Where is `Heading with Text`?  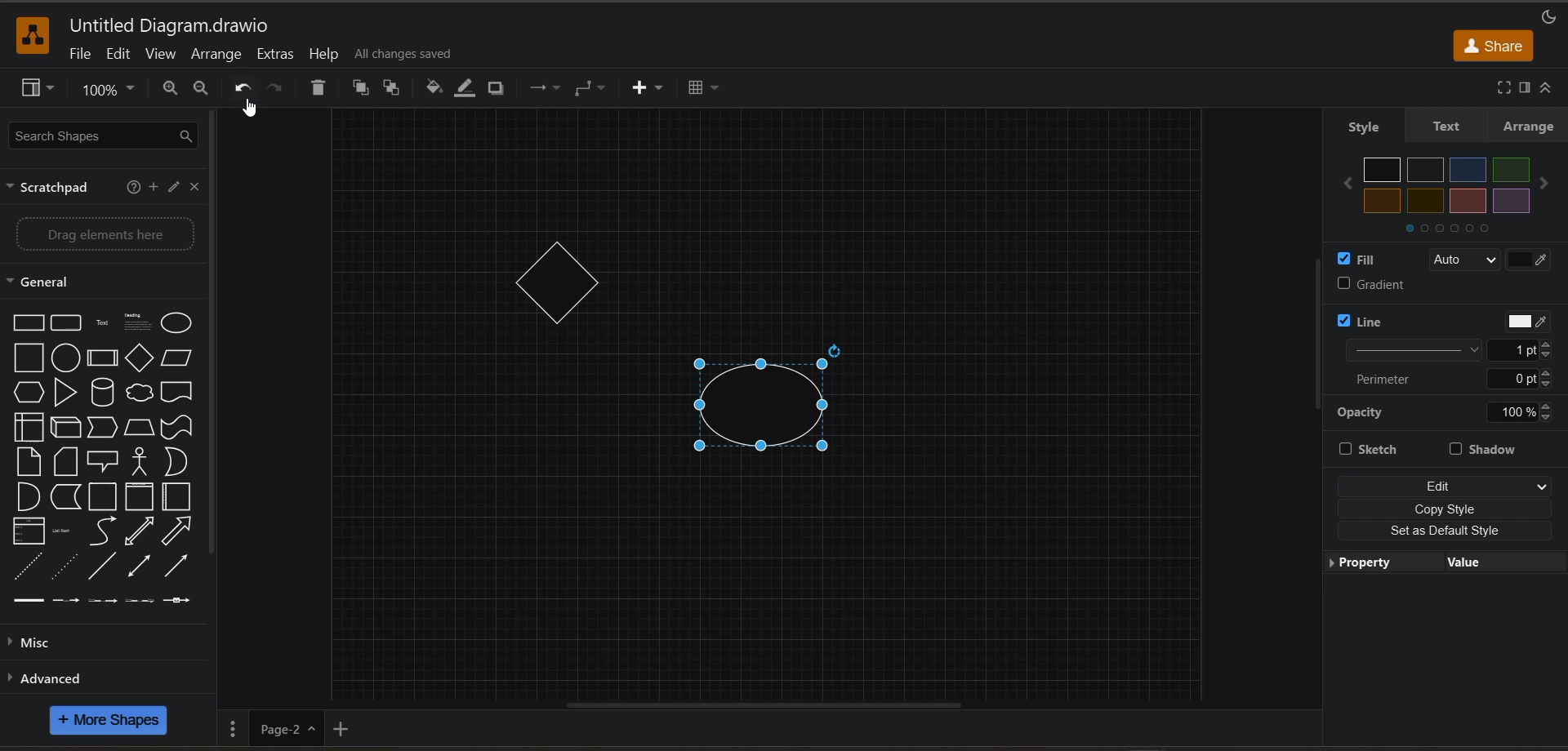
Heading with Text is located at coordinates (138, 322).